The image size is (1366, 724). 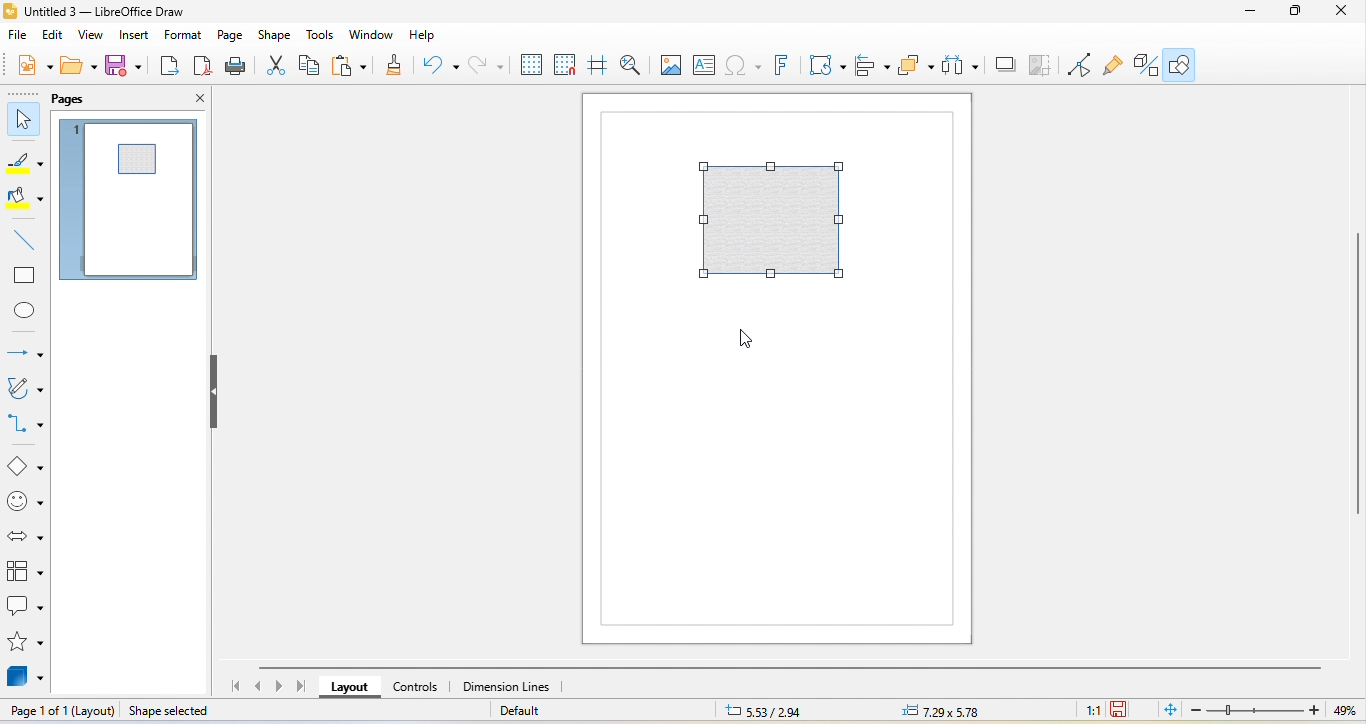 I want to click on symbol shapes, so click(x=24, y=500).